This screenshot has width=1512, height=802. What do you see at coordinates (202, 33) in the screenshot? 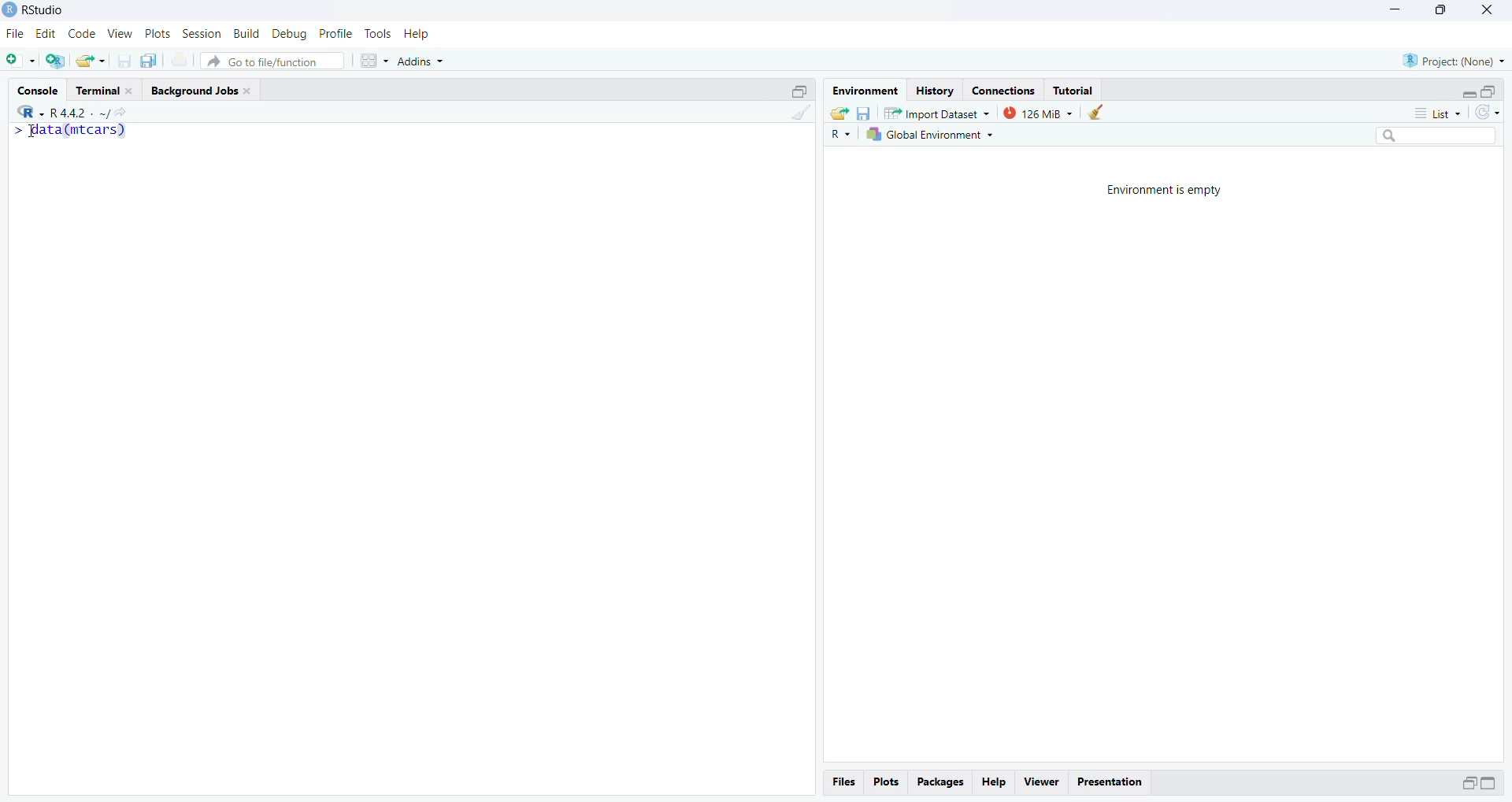
I see `Session` at bounding box center [202, 33].